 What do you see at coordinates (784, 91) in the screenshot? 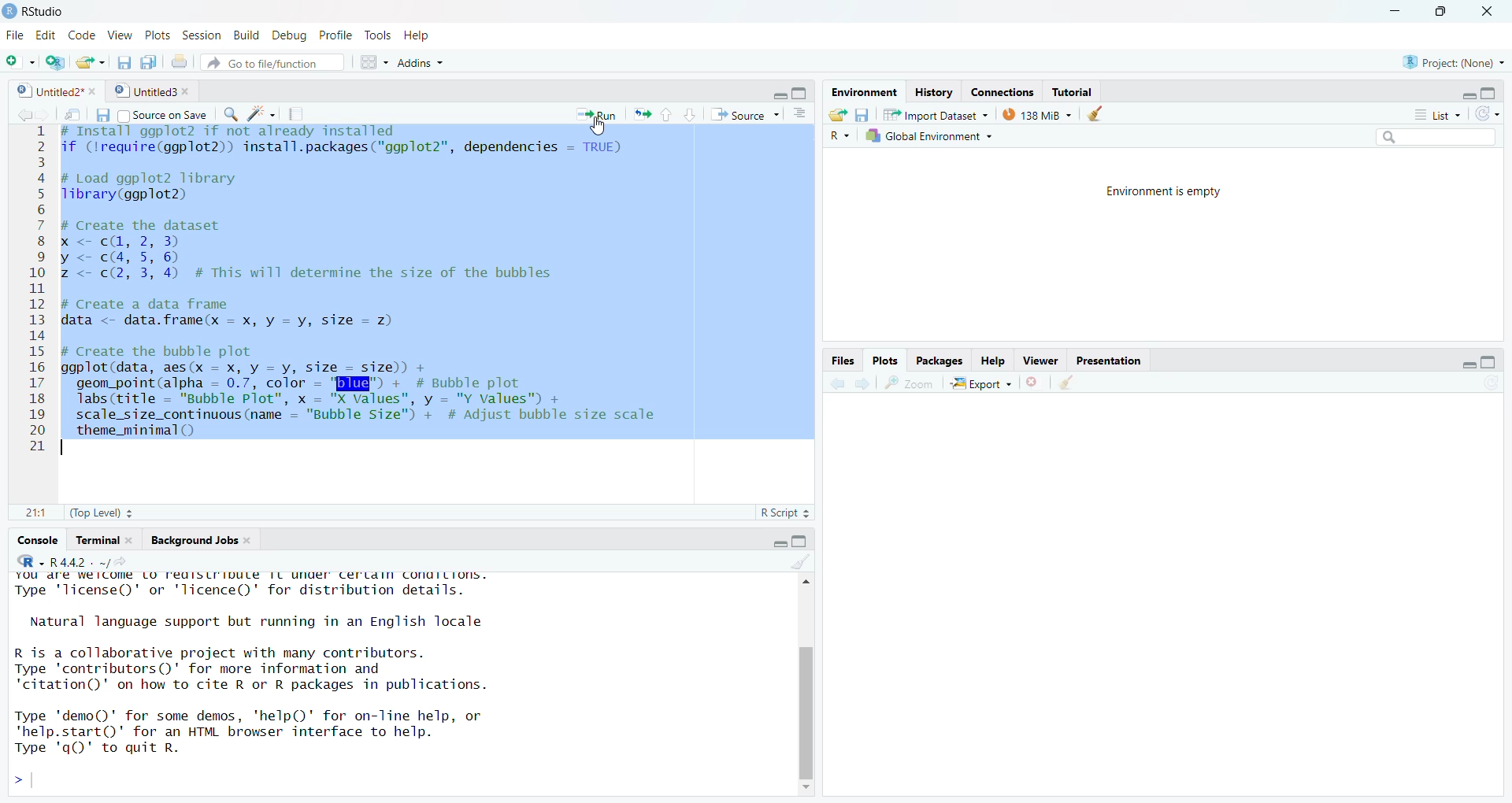
I see `minimize/maximize` at bounding box center [784, 91].